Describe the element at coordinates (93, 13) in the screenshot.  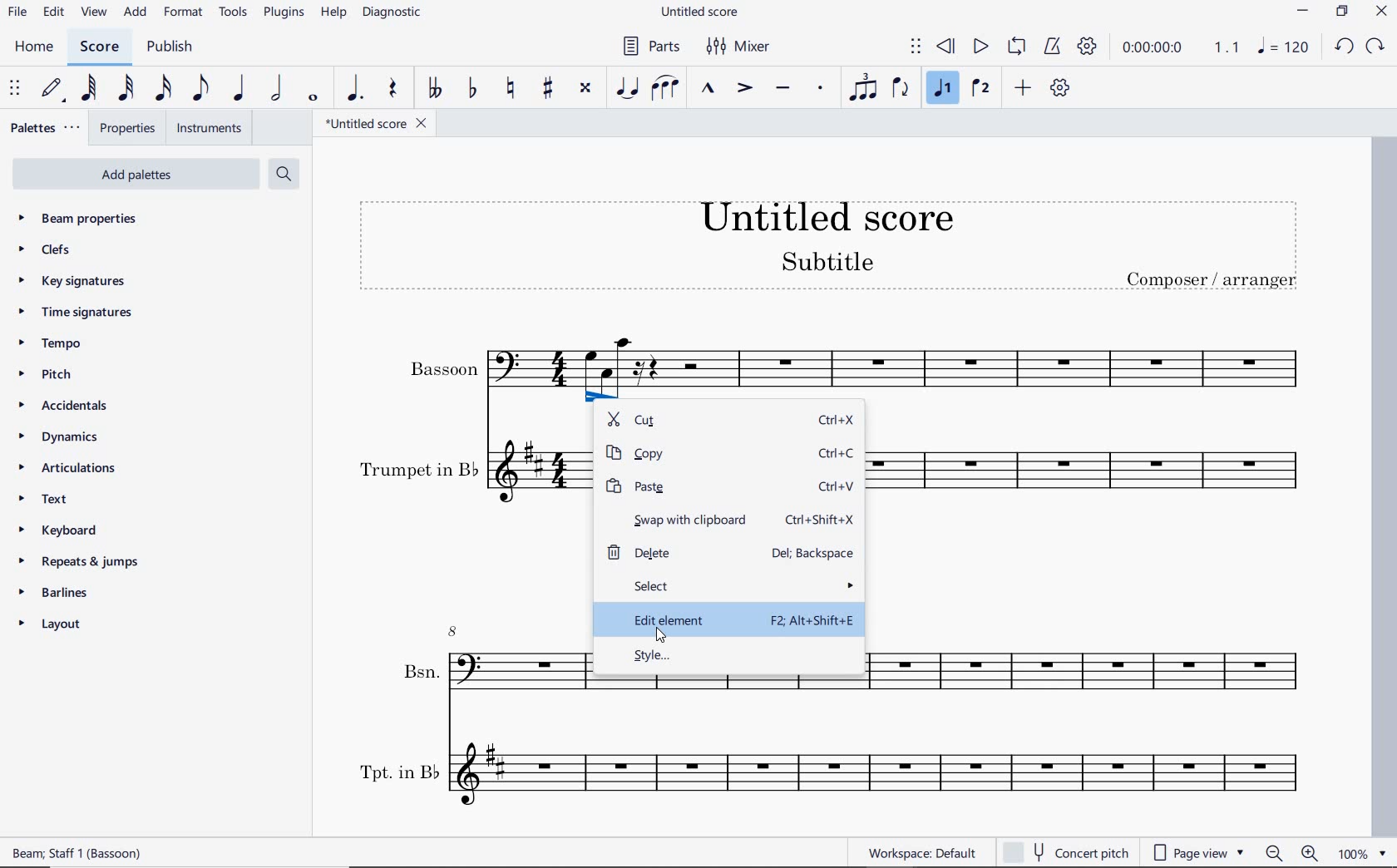
I see `view` at that location.